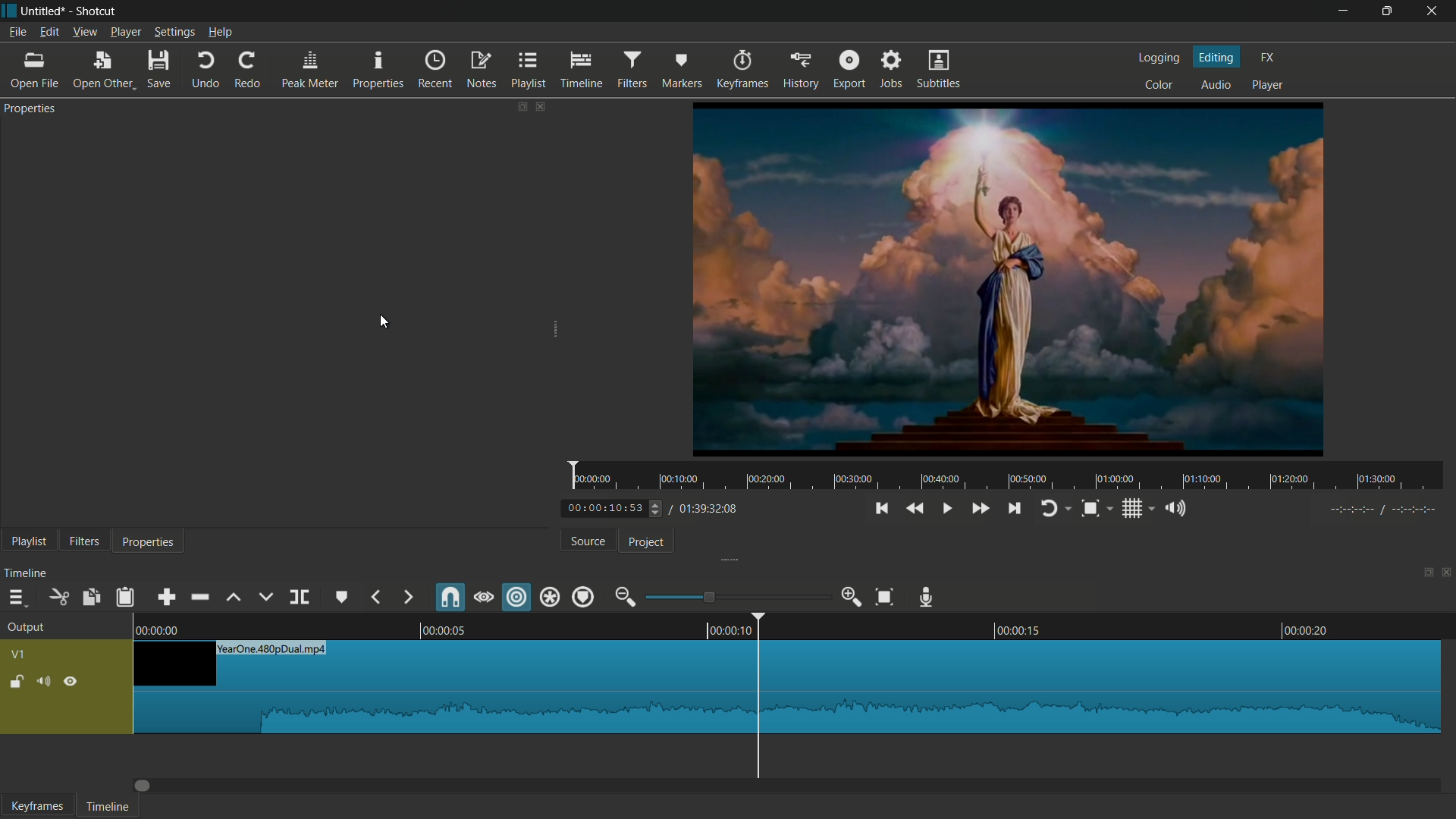  What do you see at coordinates (60, 598) in the screenshot?
I see `cut` at bounding box center [60, 598].